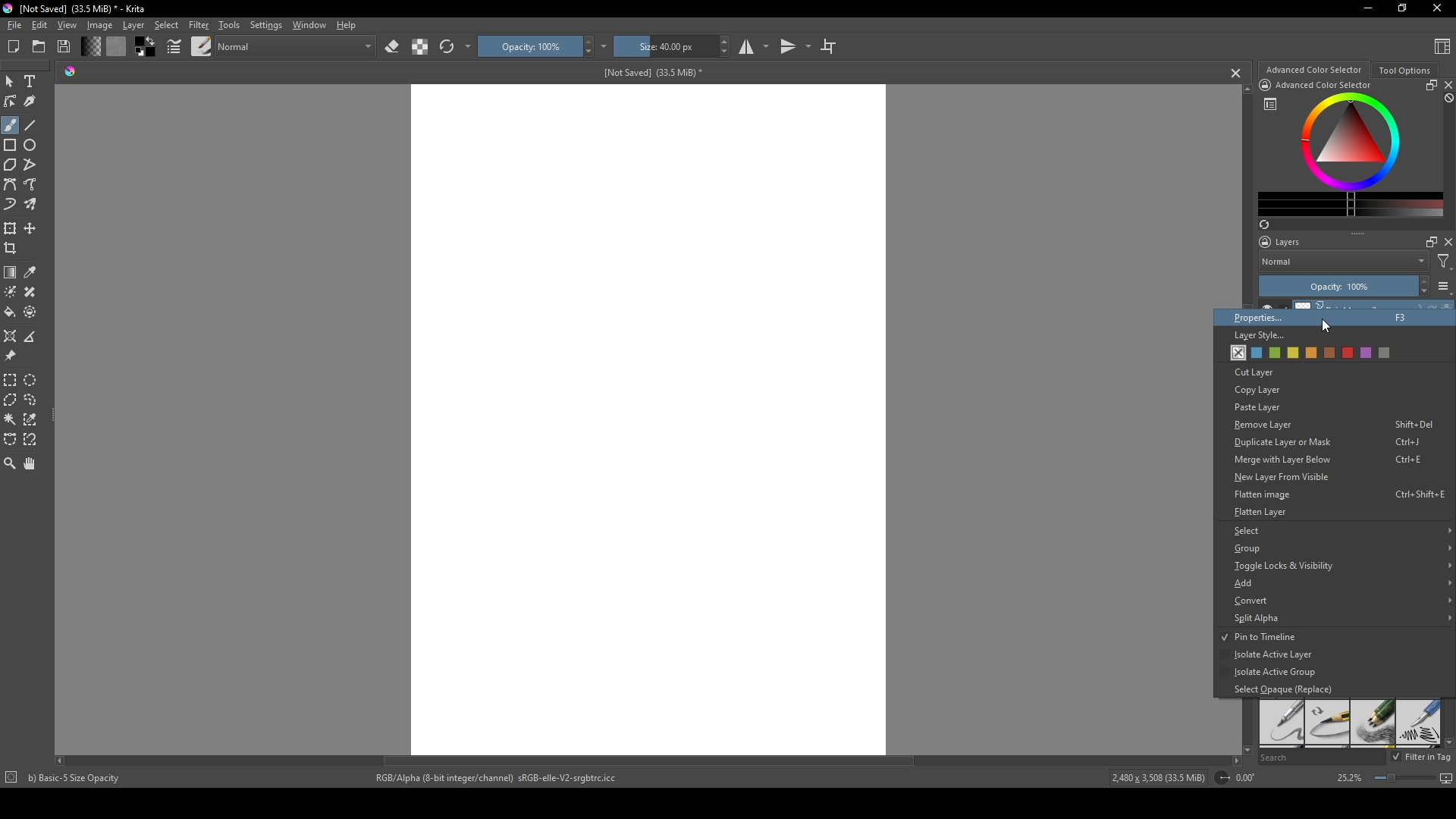 Image resolution: width=1456 pixels, height=819 pixels. What do you see at coordinates (11, 206) in the screenshot?
I see `dynamic brush` at bounding box center [11, 206].